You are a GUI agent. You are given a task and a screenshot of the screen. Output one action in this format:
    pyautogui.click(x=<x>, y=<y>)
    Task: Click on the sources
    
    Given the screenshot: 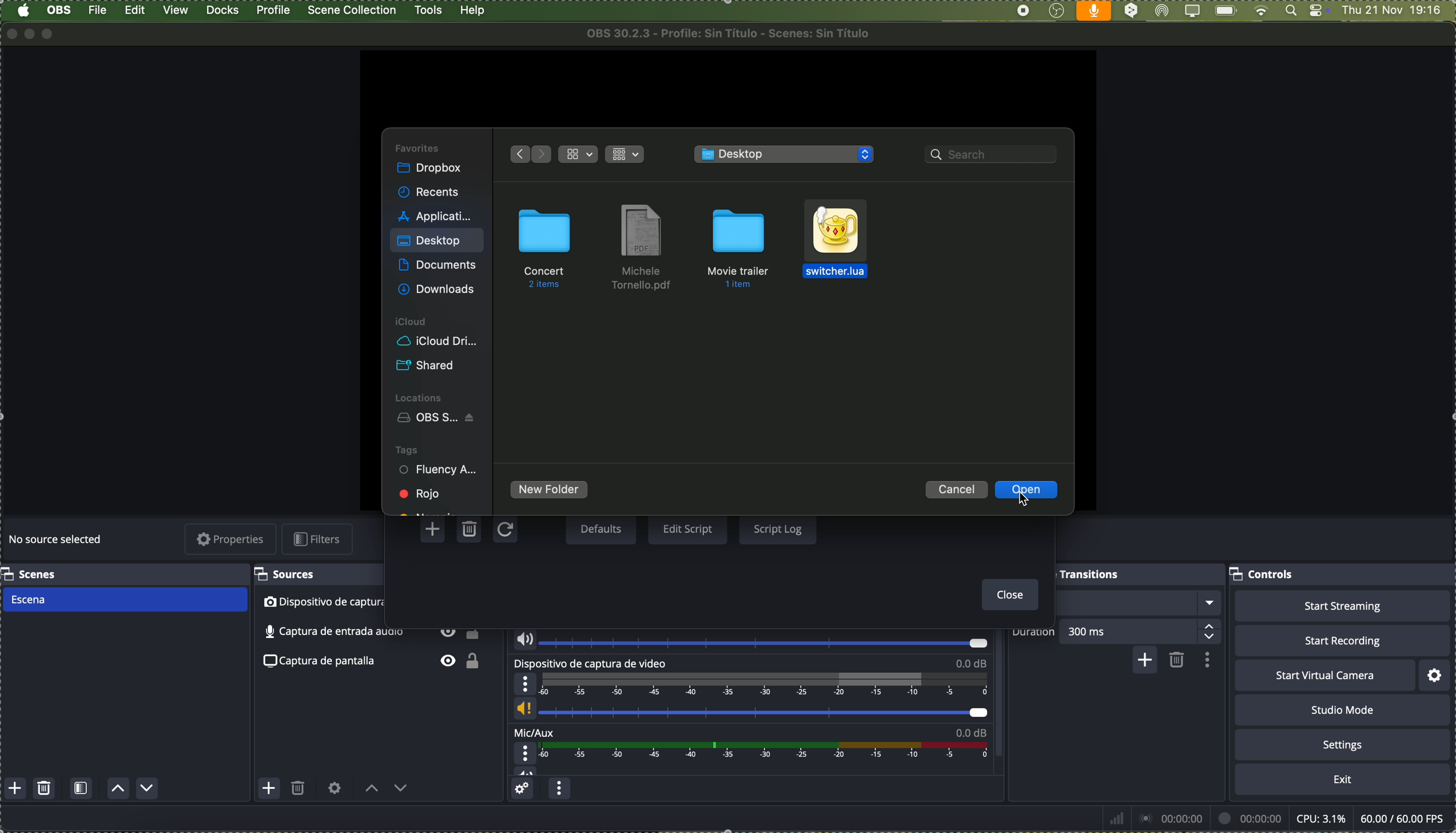 What is the action you would take?
    pyautogui.click(x=289, y=574)
    